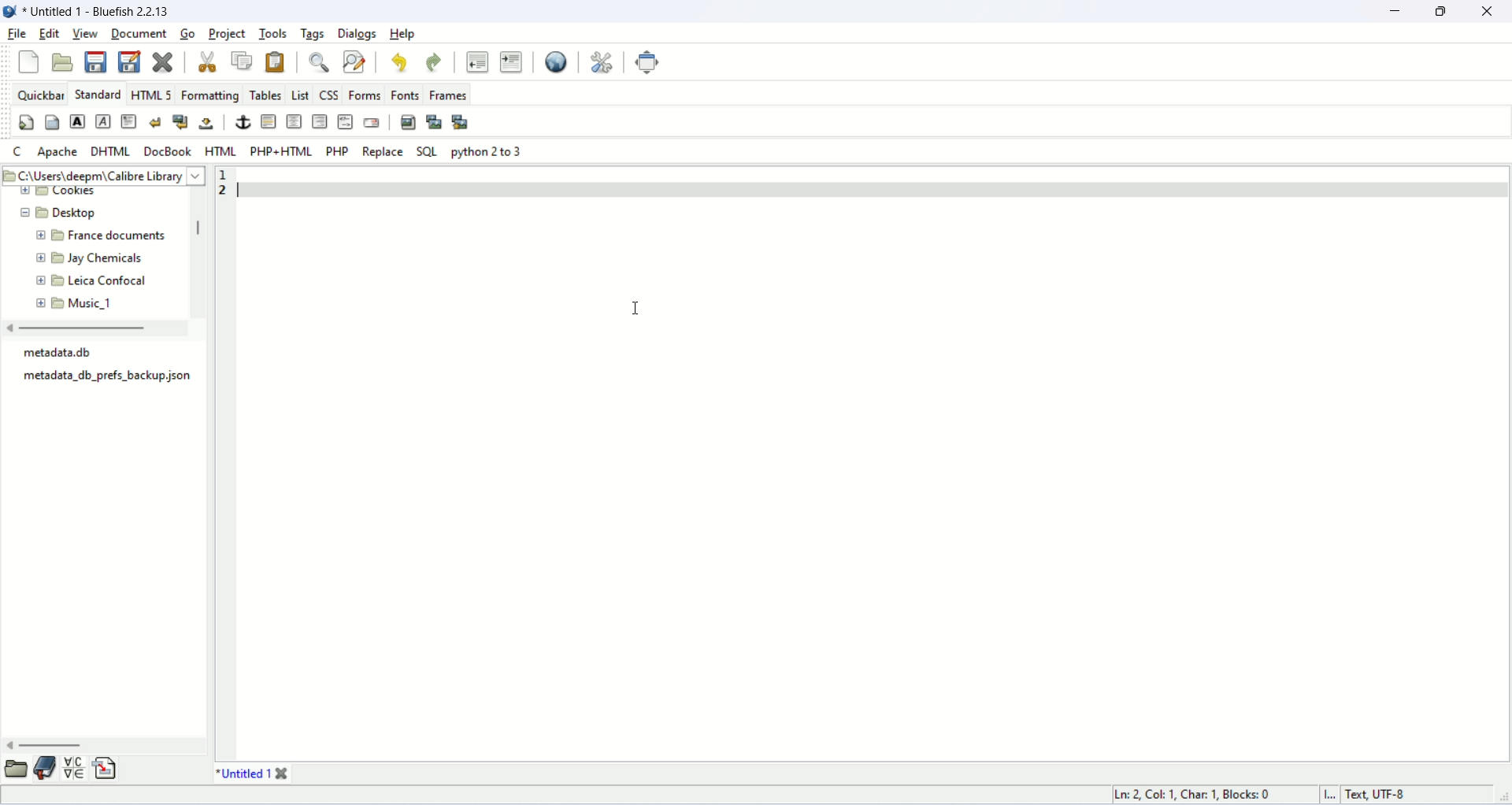 The height and width of the screenshot is (805, 1512). What do you see at coordinates (365, 95) in the screenshot?
I see `forms` at bounding box center [365, 95].